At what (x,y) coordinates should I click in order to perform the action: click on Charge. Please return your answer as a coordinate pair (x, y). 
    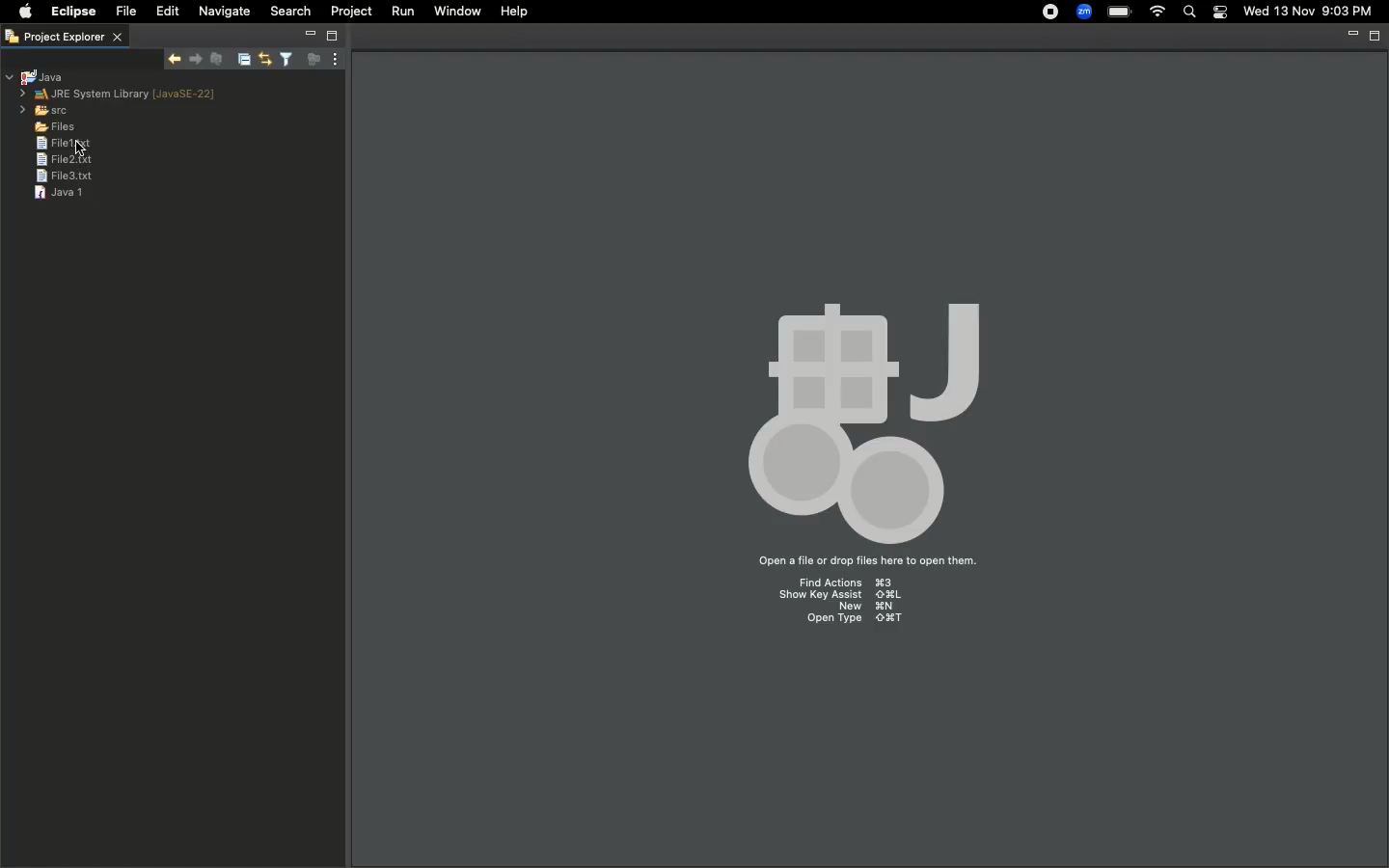
    Looking at the image, I should click on (1118, 12).